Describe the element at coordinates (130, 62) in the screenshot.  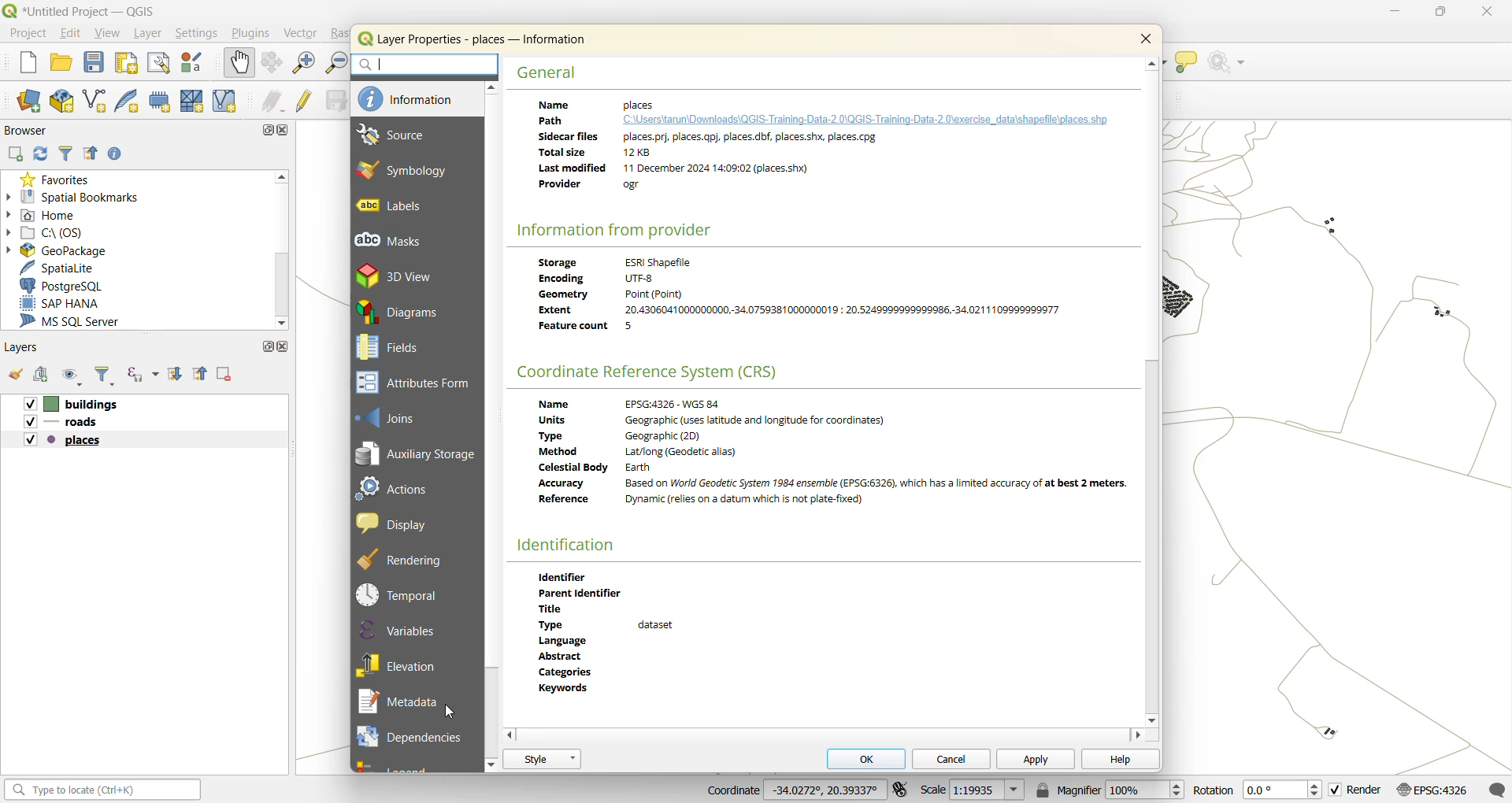
I see `print layout` at that location.